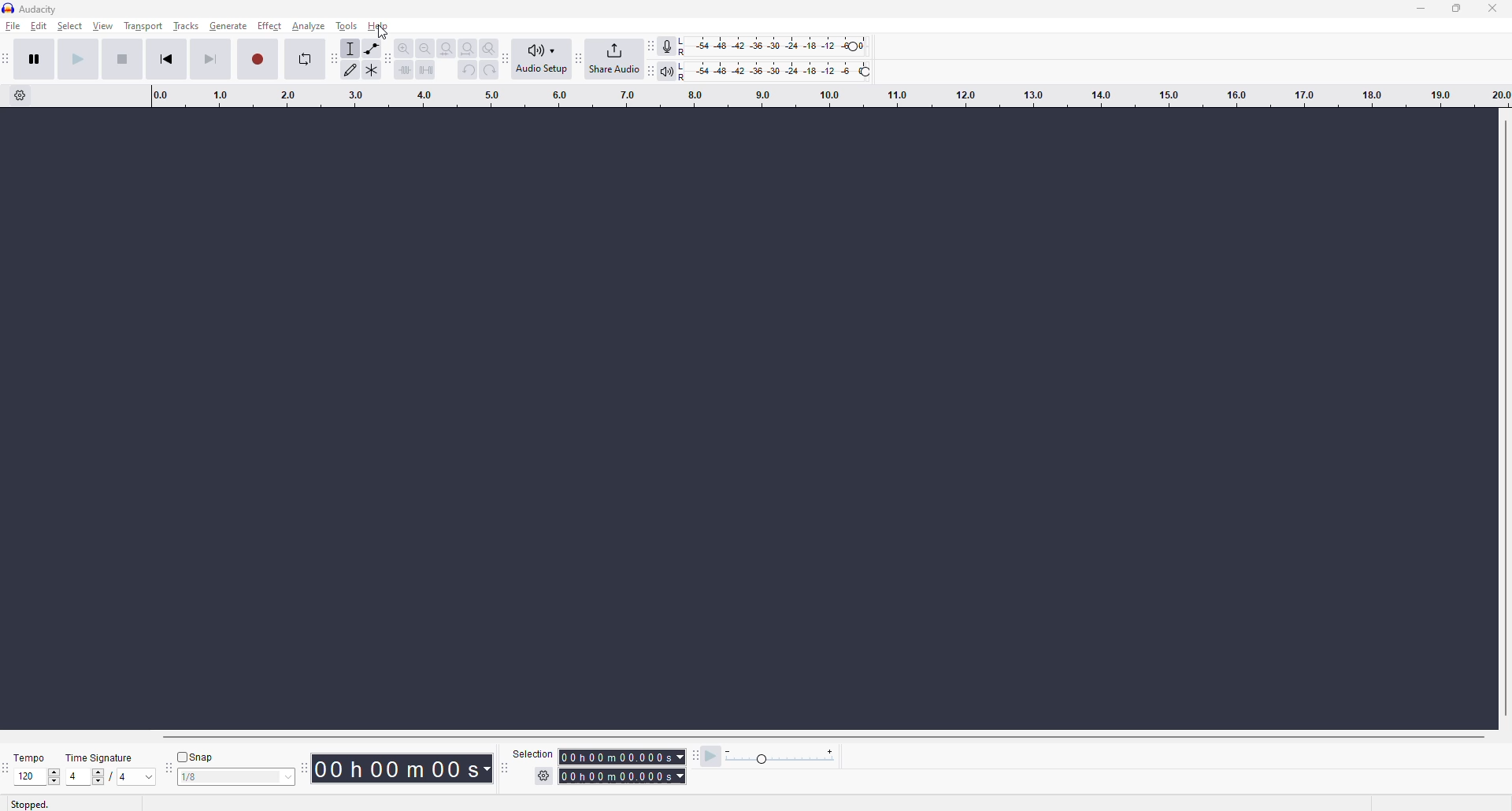 This screenshot has width=1512, height=811. What do you see at coordinates (132, 780) in the screenshot?
I see `value` at bounding box center [132, 780].